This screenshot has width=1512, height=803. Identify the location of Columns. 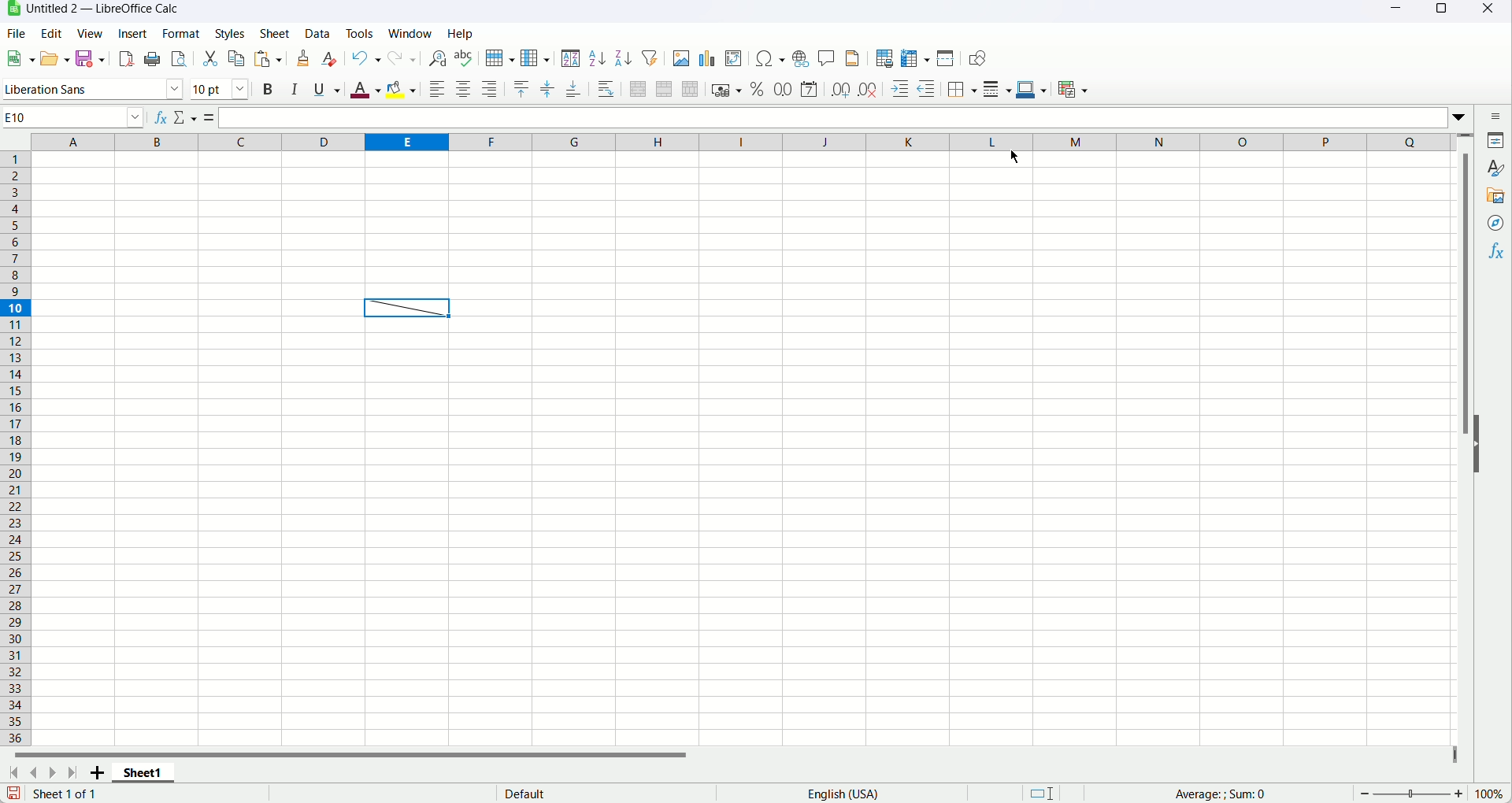
(740, 140).